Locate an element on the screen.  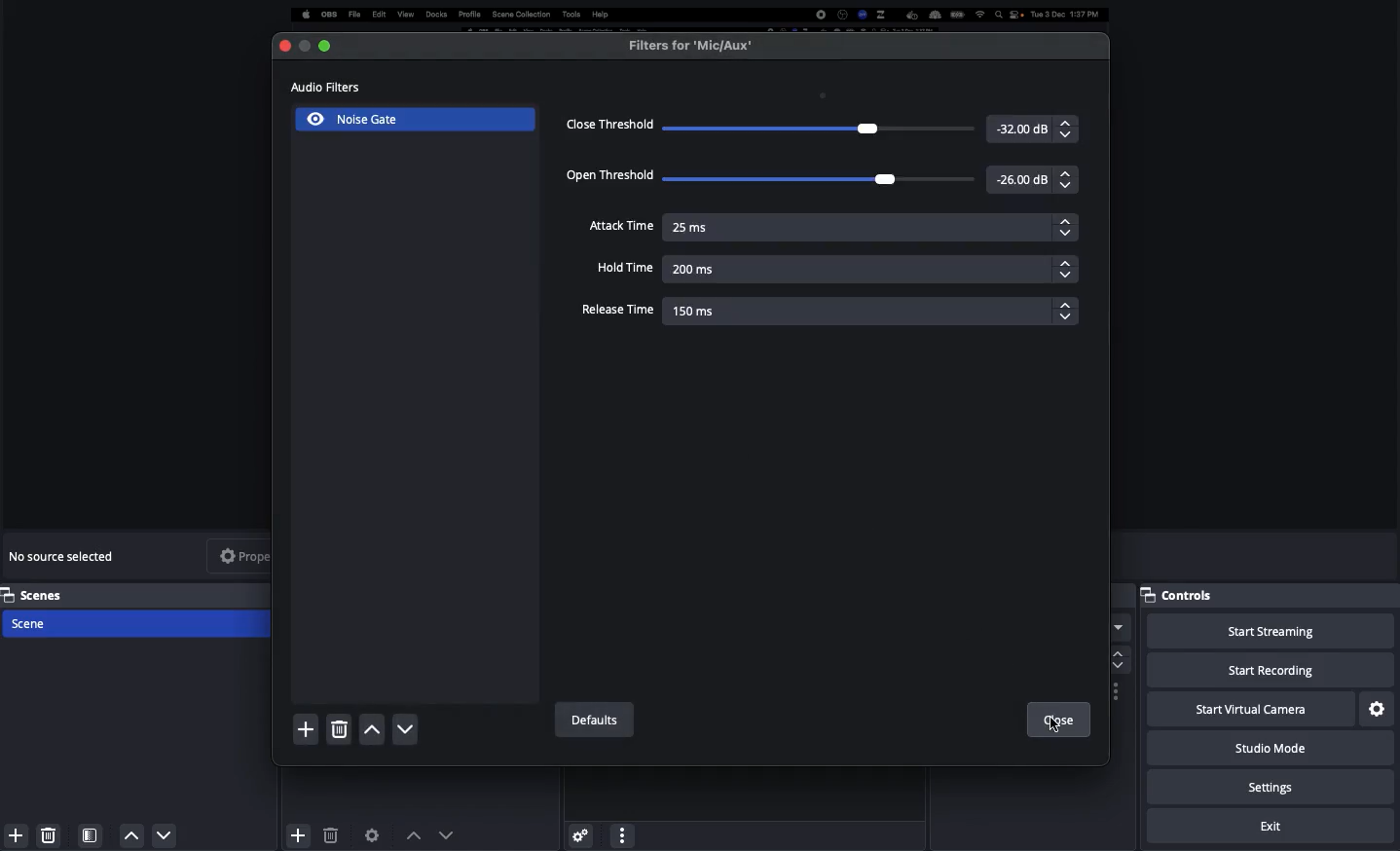
Down is located at coordinates (166, 837).